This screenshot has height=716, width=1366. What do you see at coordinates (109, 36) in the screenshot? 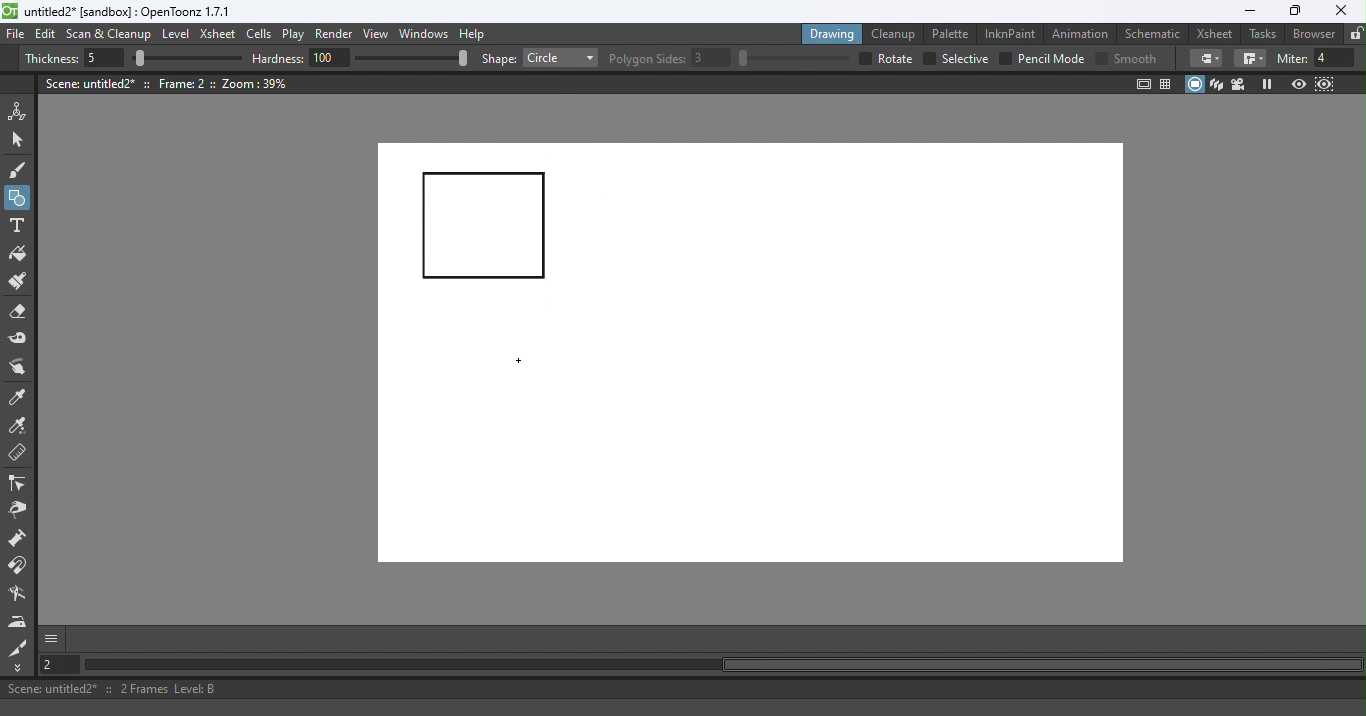
I see `Scan & Cleanup` at bounding box center [109, 36].